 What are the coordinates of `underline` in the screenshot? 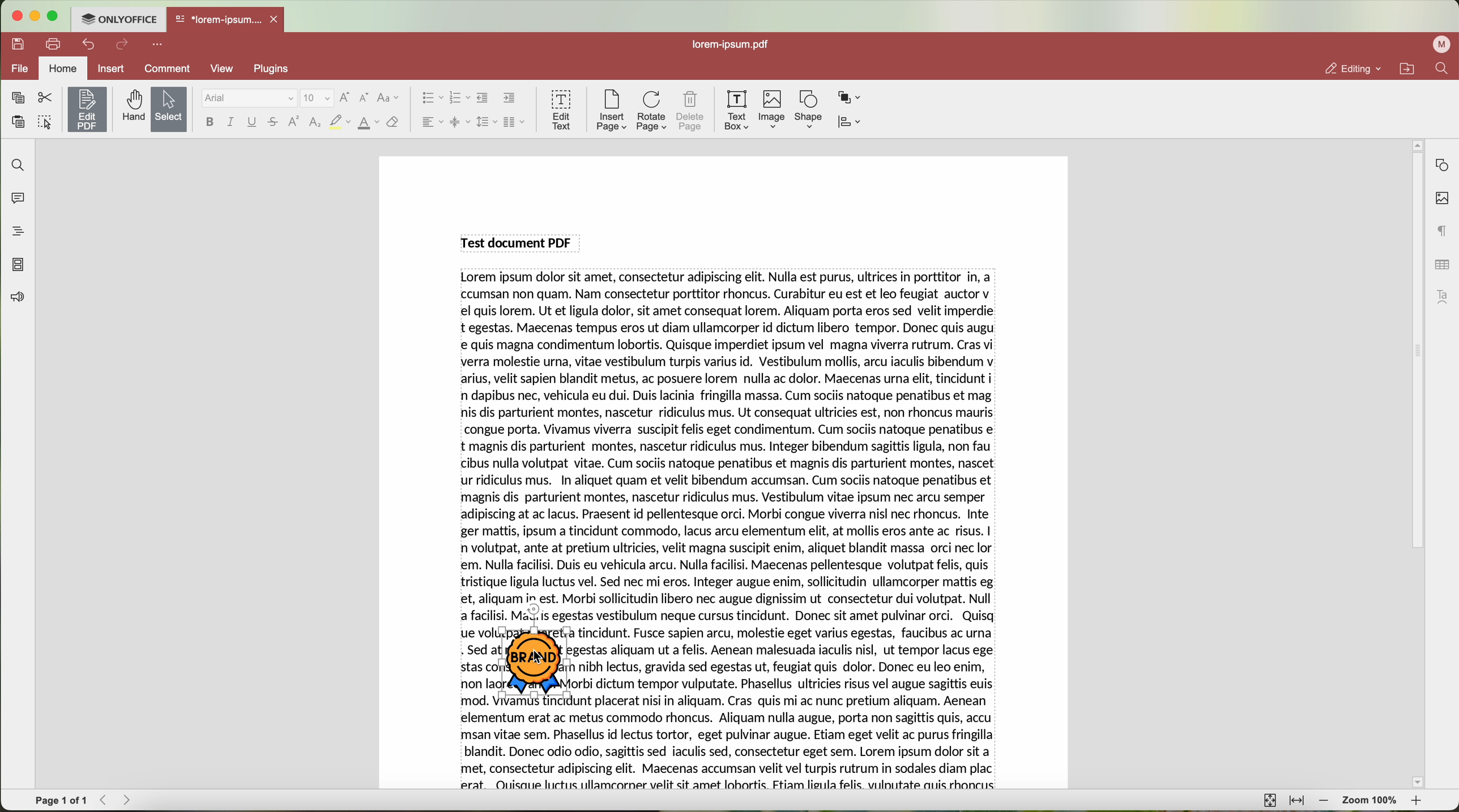 It's located at (253, 124).